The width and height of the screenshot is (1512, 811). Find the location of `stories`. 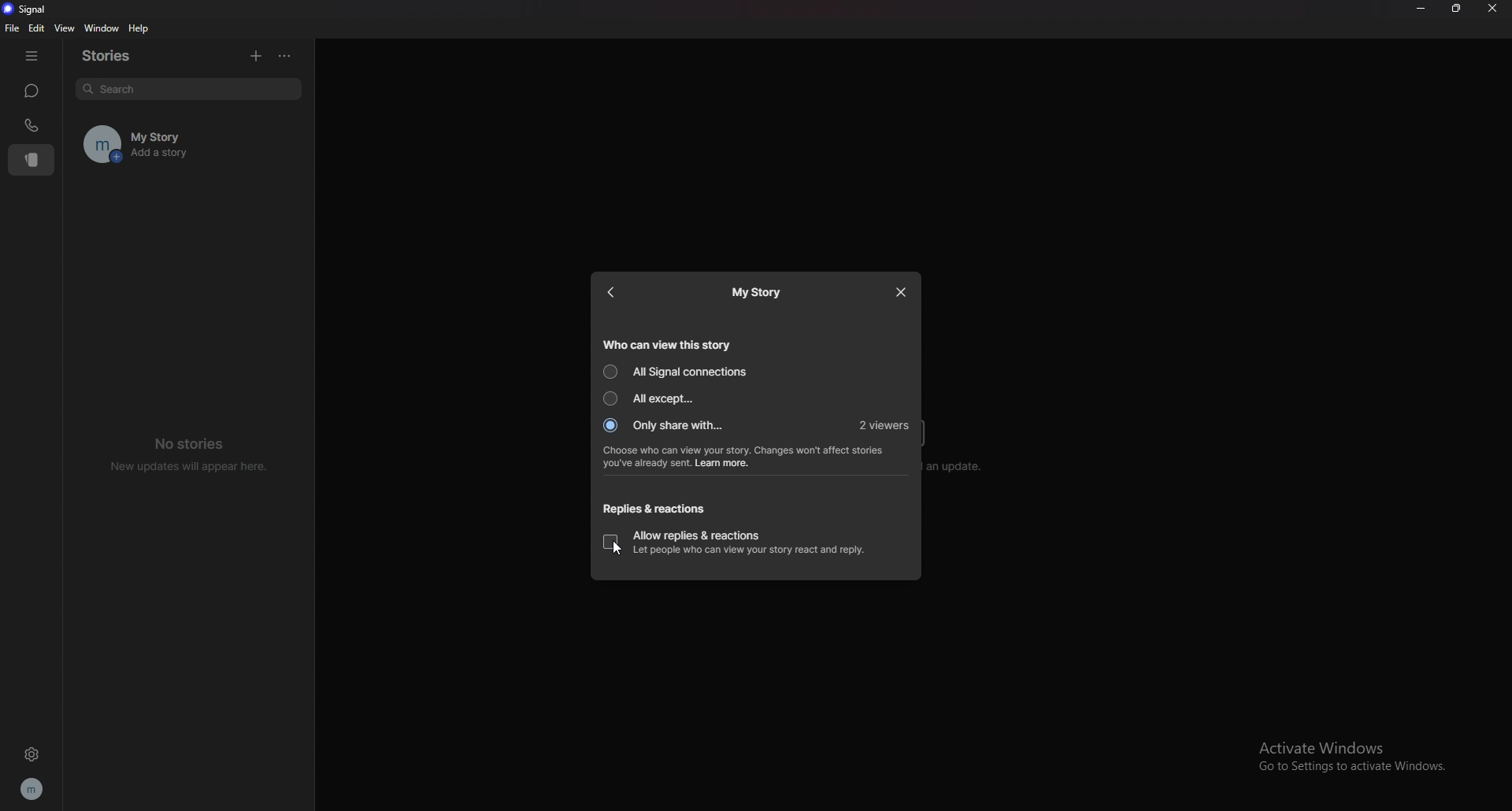

stories is located at coordinates (117, 54).